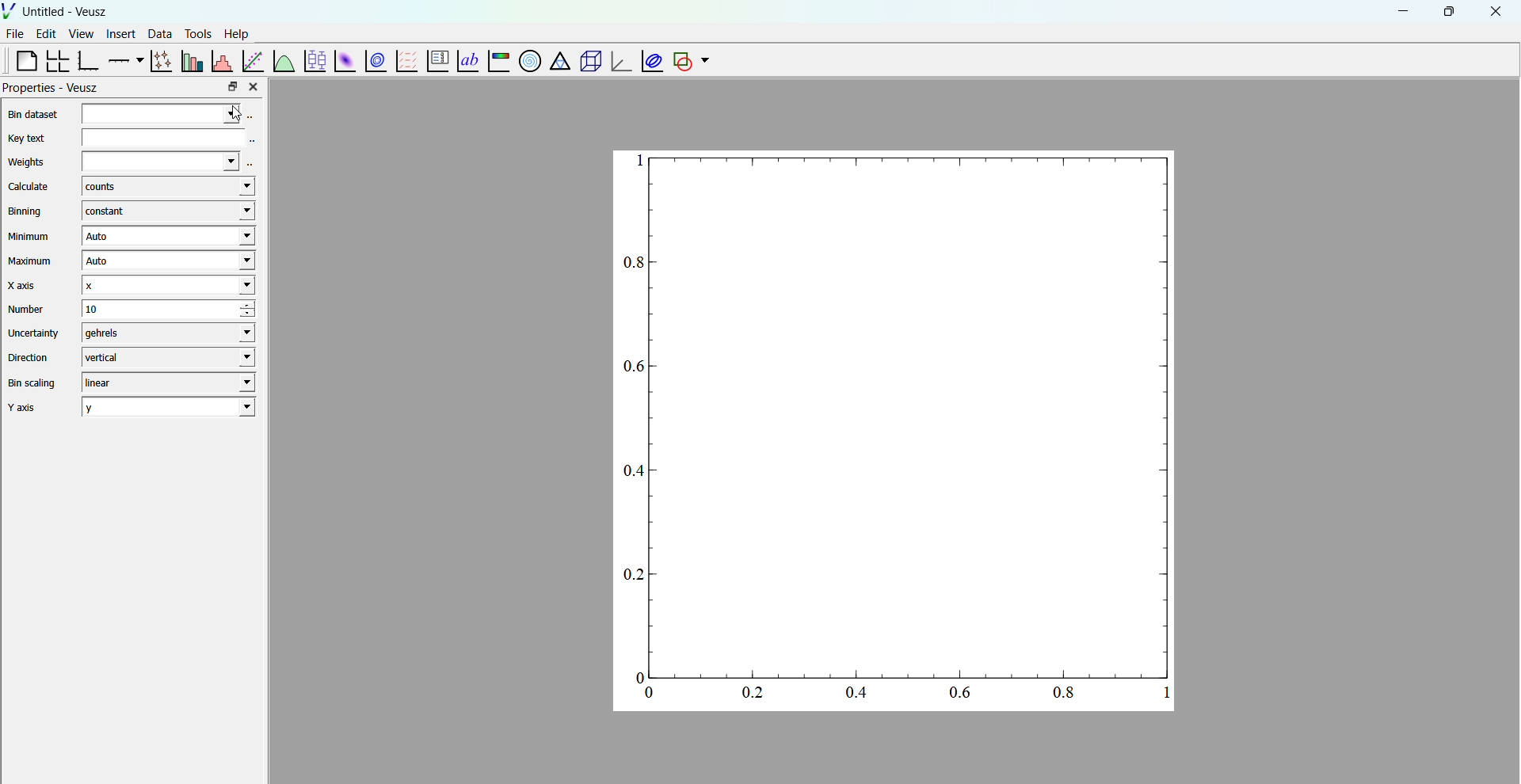  Describe the element at coordinates (170, 237) in the screenshot. I see `Auto ` at that location.